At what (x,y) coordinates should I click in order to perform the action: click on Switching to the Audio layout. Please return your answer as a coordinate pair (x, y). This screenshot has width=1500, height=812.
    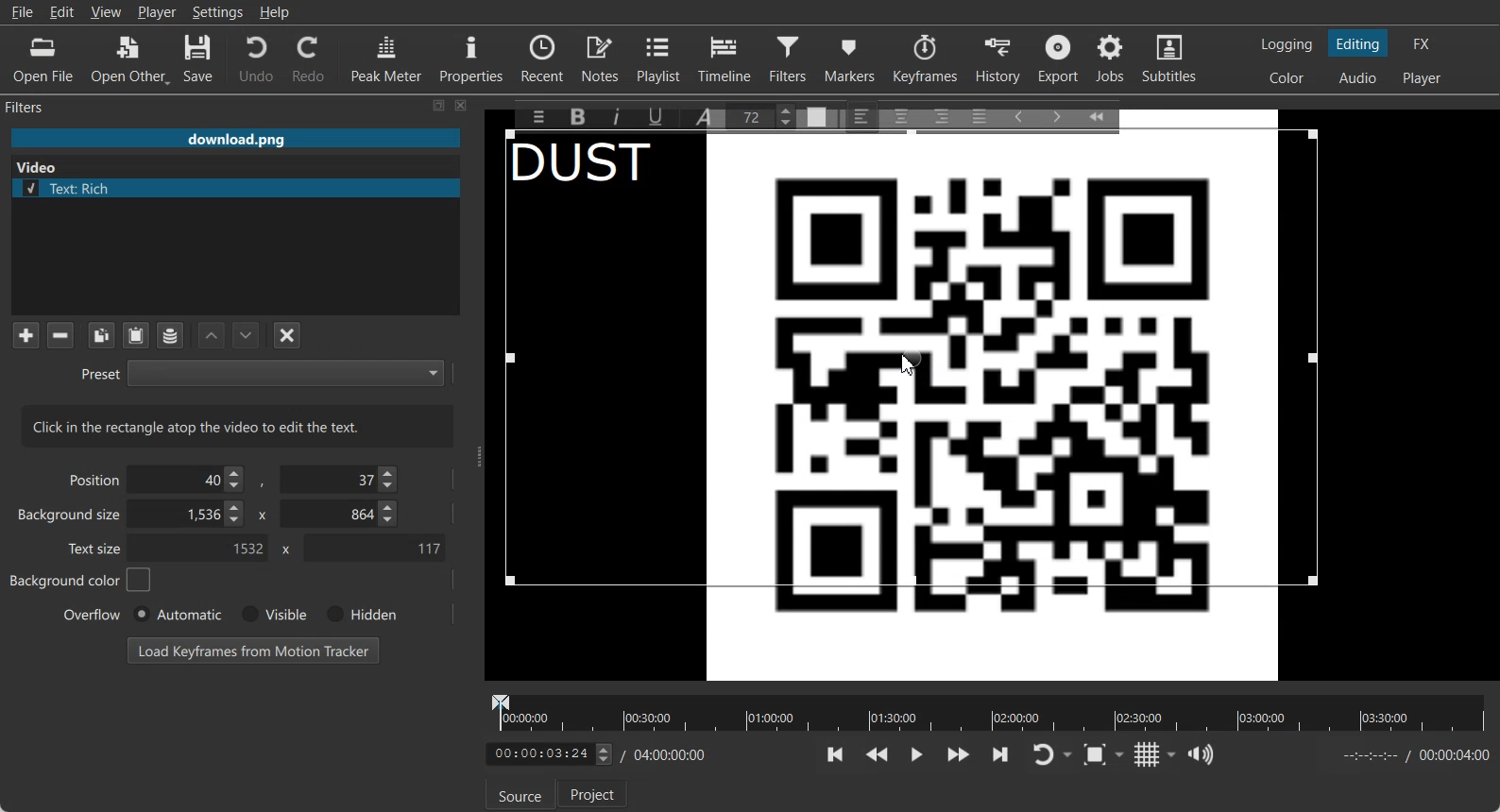
    Looking at the image, I should click on (1359, 78).